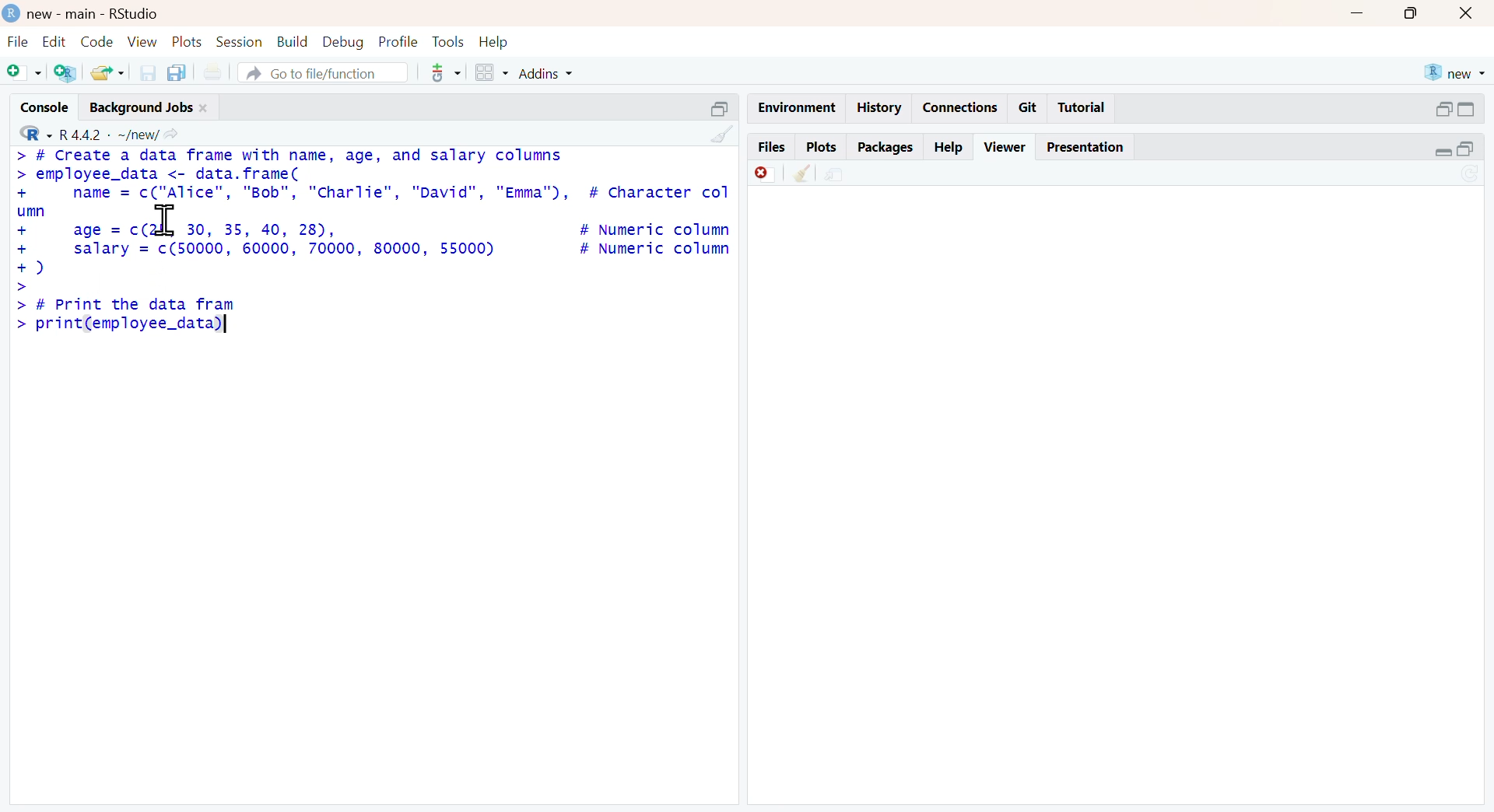 This screenshot has height=812, width=1494. Describe the element at coordinates (139, 42) in the screenshot. I see `View` at that location.